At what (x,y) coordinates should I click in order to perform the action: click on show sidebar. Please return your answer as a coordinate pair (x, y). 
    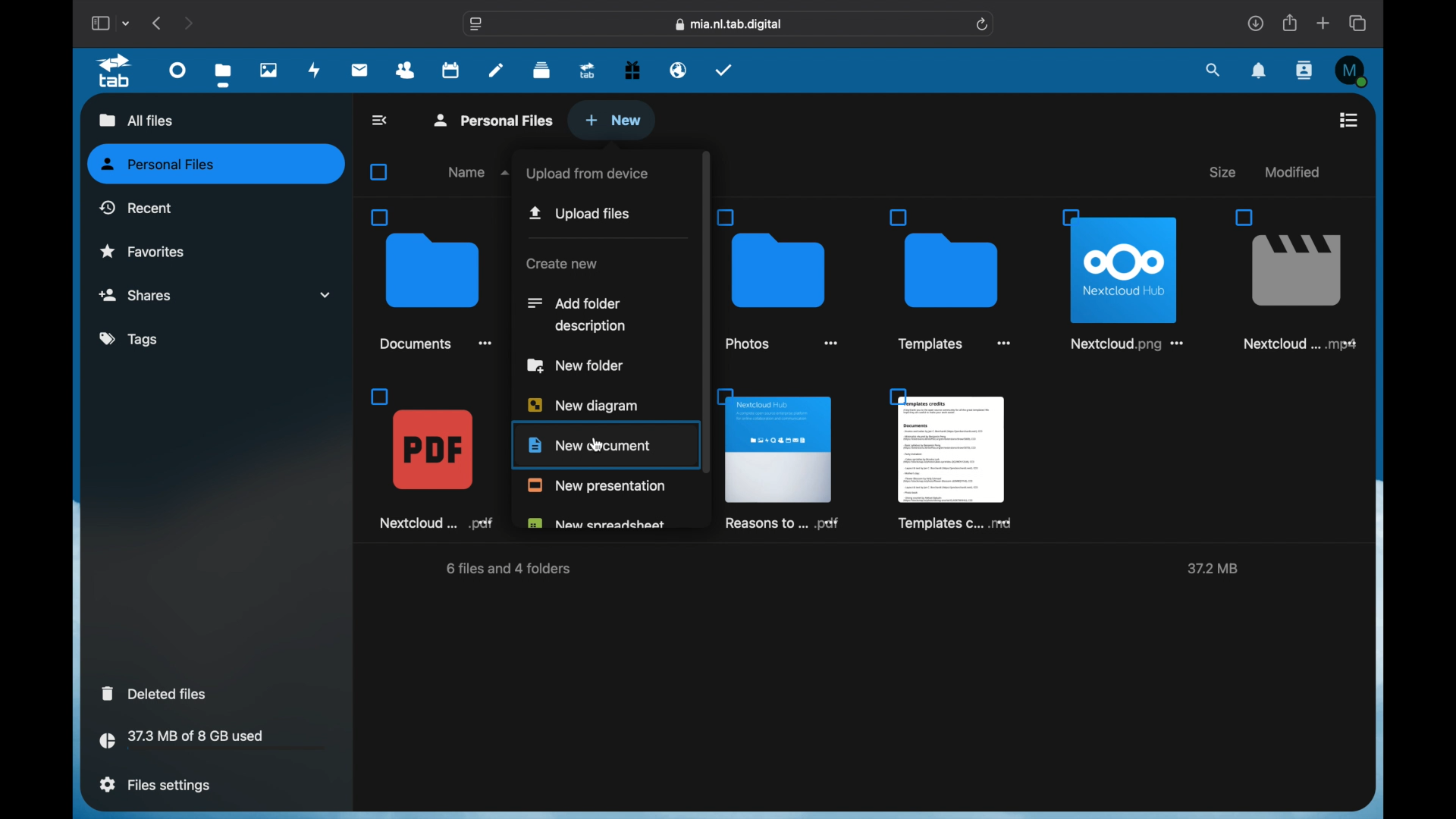
    Looking at the image, I should click on (99, 23).